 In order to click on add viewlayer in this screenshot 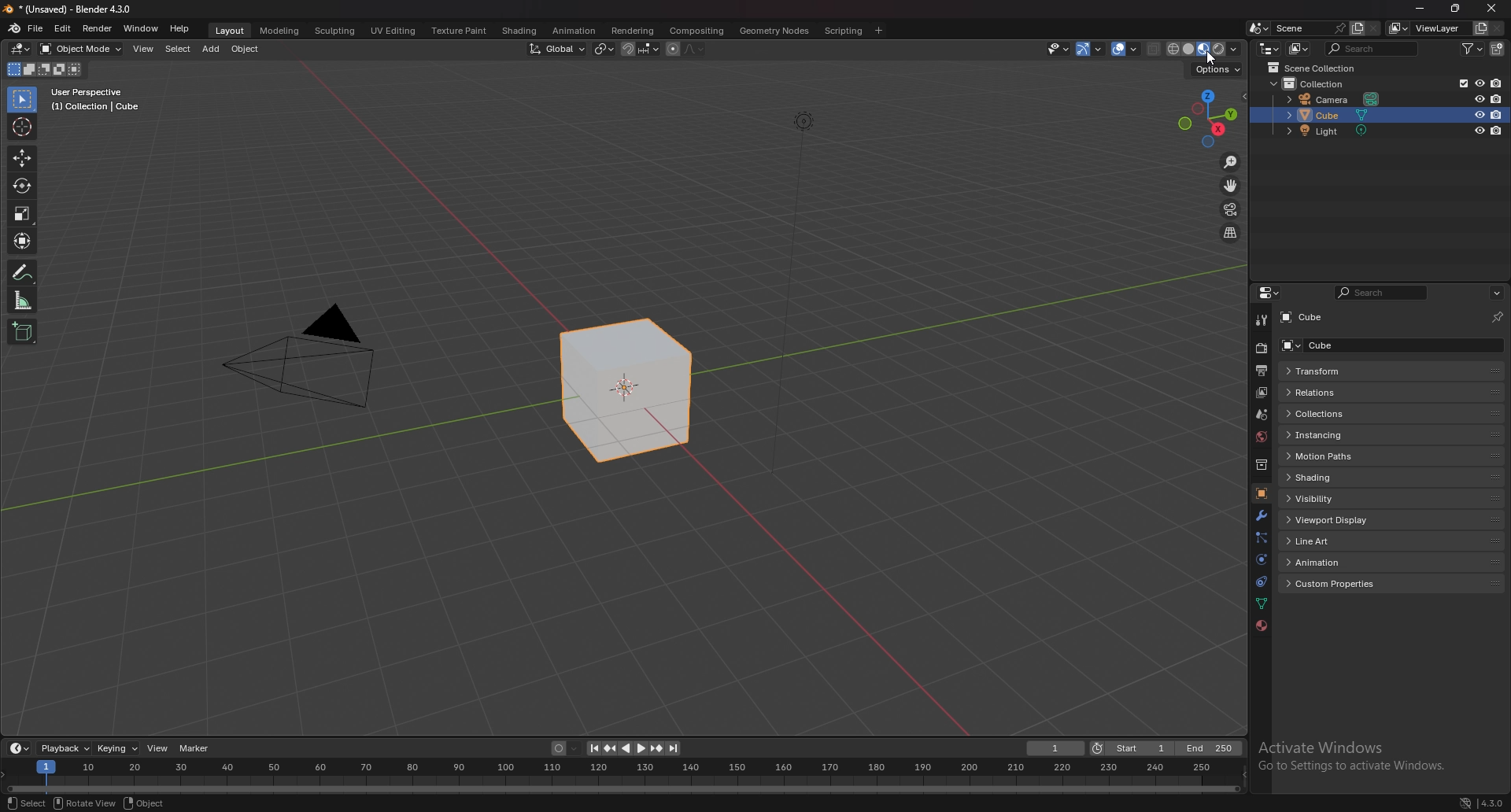, I will do `click(1480, 28)`.